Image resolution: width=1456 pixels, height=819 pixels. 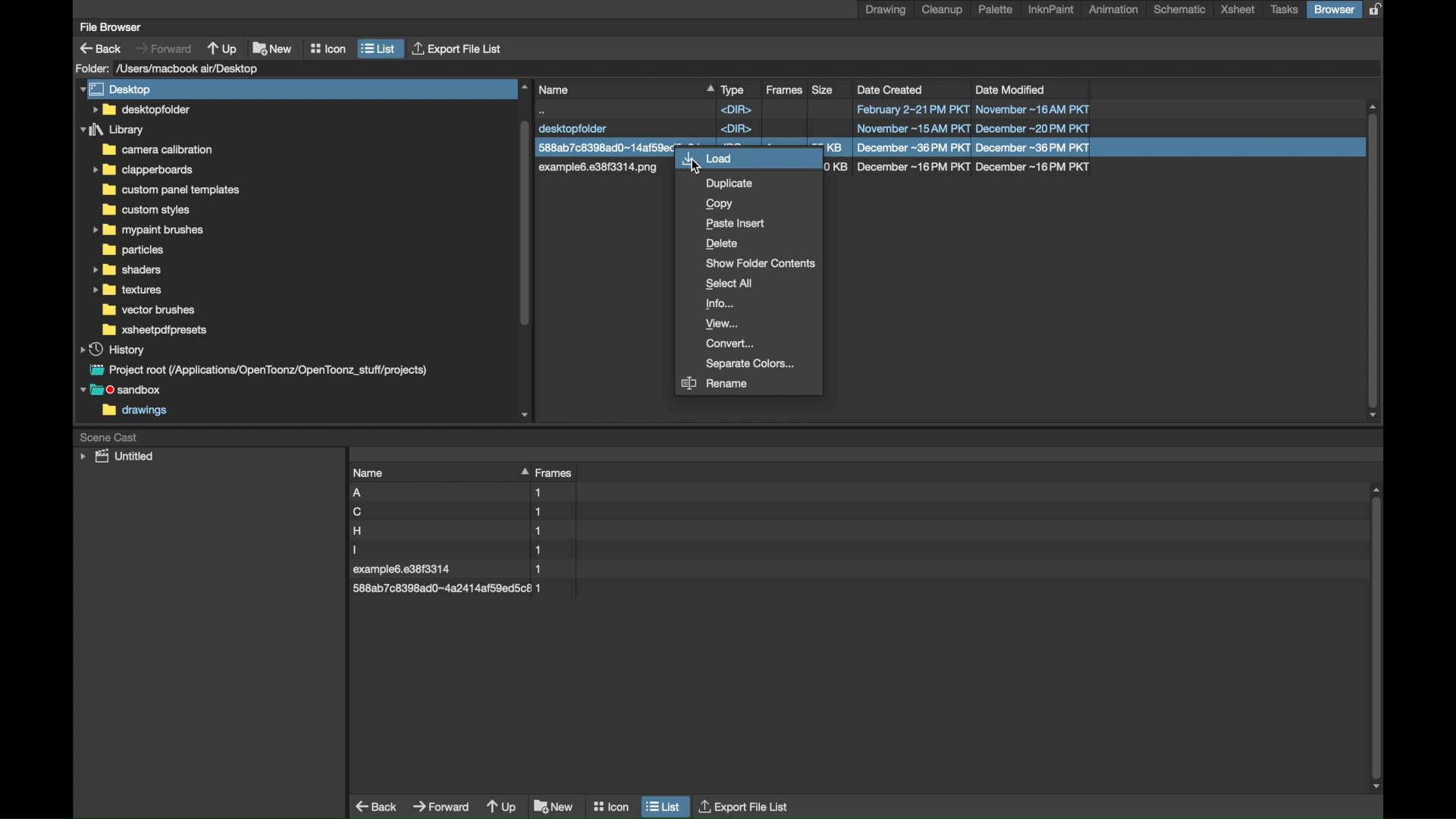 I want to click on back, so click(x=101, y=49).